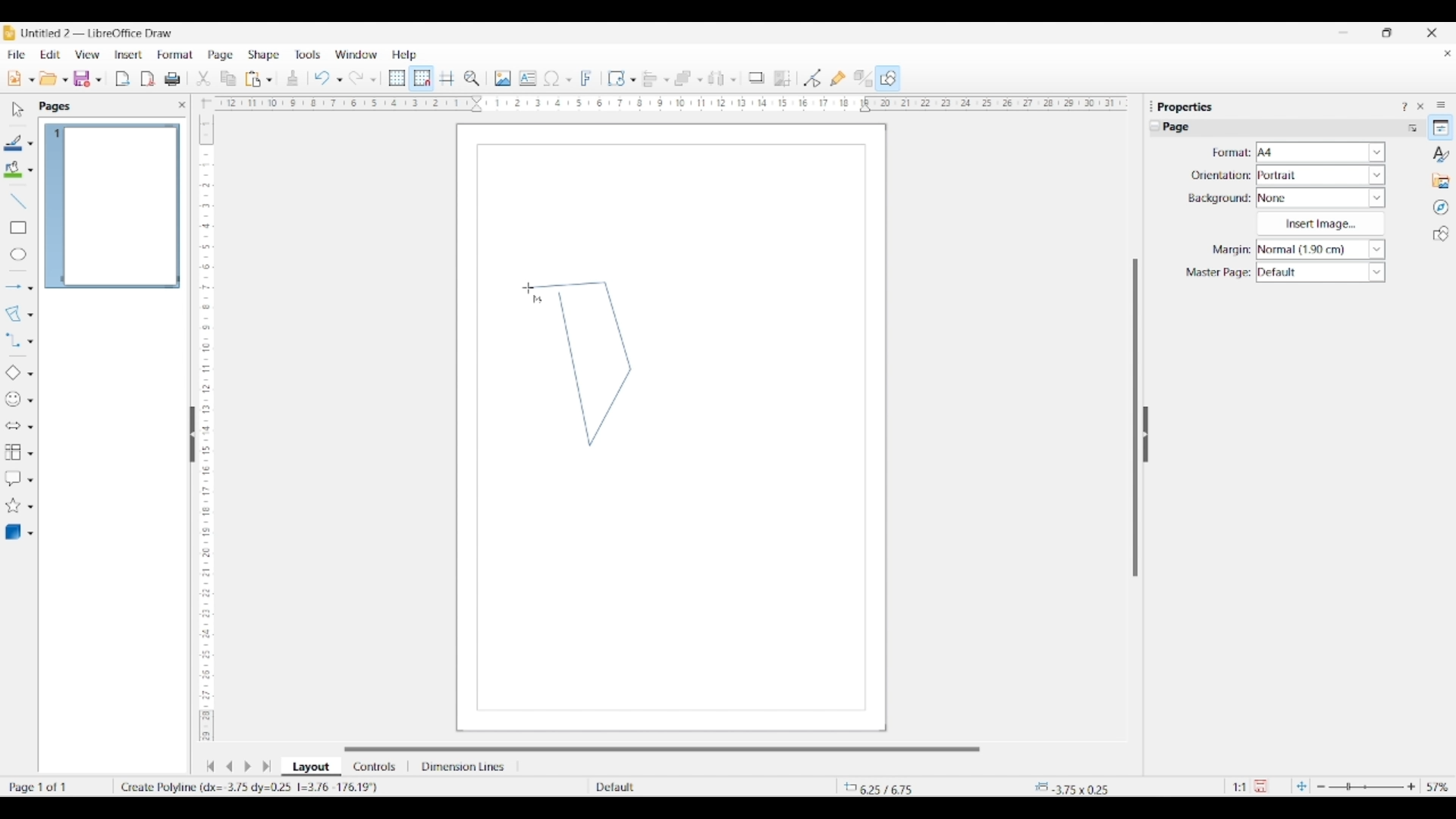  What do you see at coordinates (14, 78) in the screenshot?
I see `Selected new document` at bounding box center [14, 78].